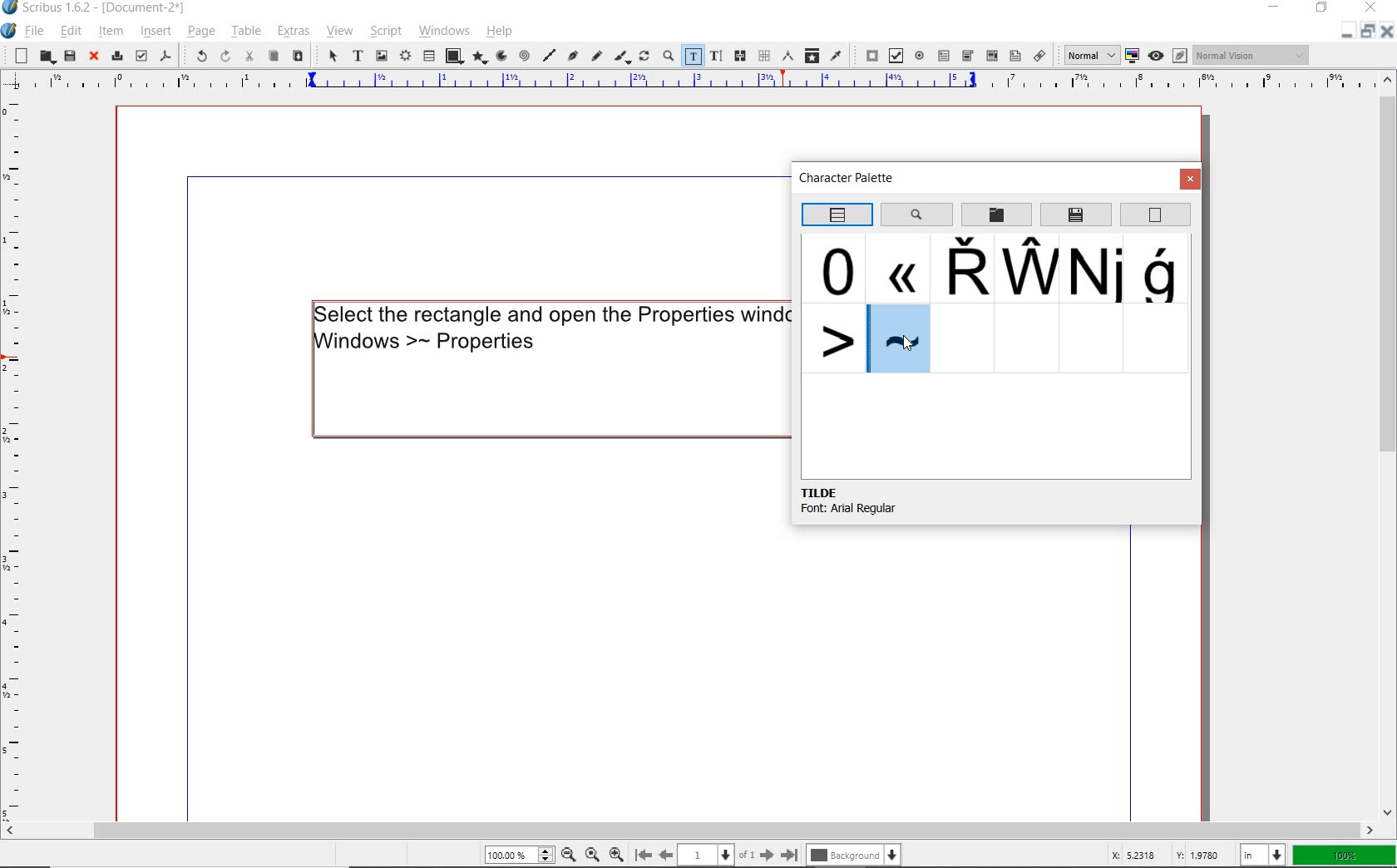  I want to click on Text annotation, so click(1014, 57).